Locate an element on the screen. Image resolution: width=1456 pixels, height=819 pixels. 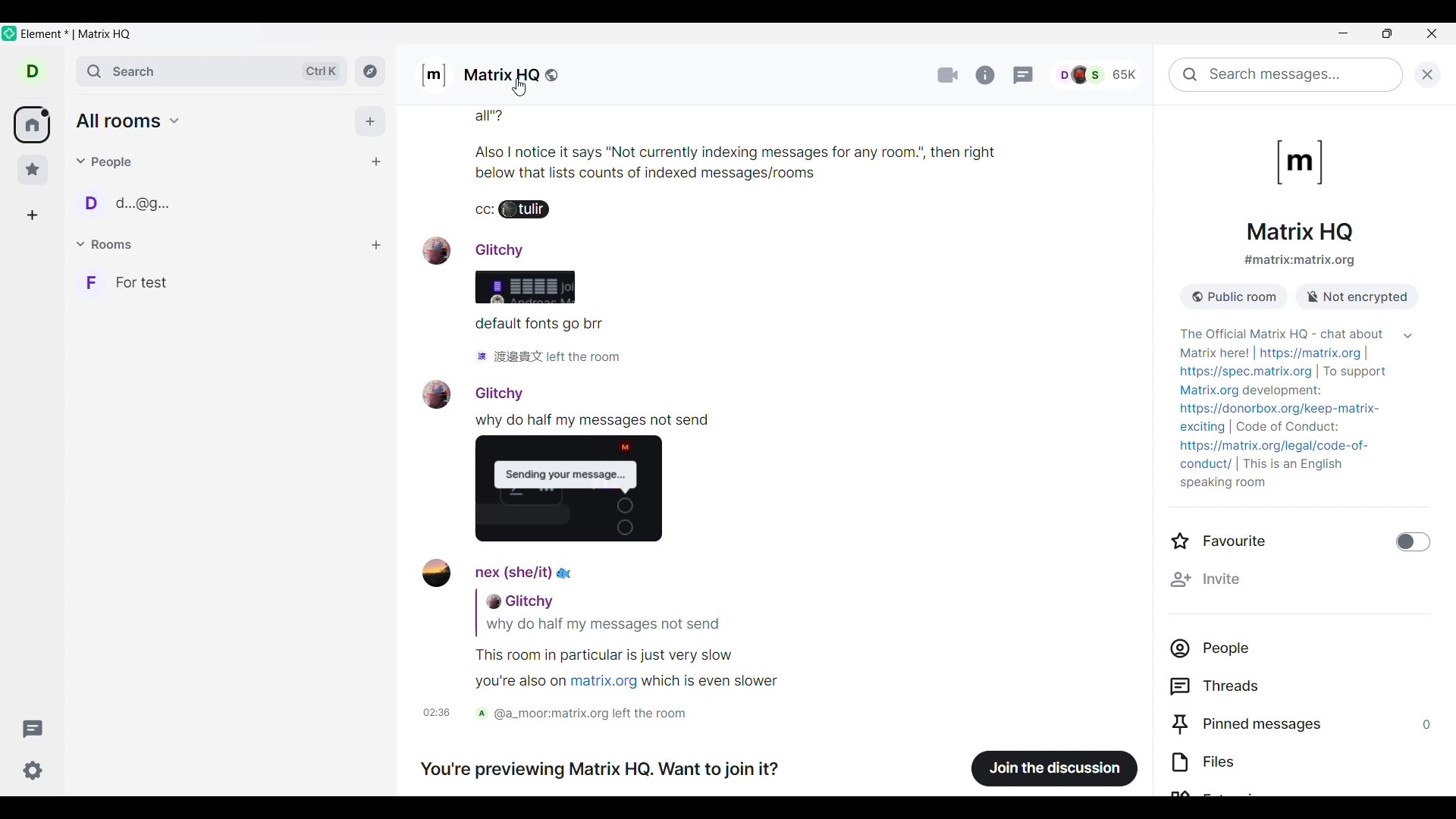
Rooms is located at coordinates (106, 243).